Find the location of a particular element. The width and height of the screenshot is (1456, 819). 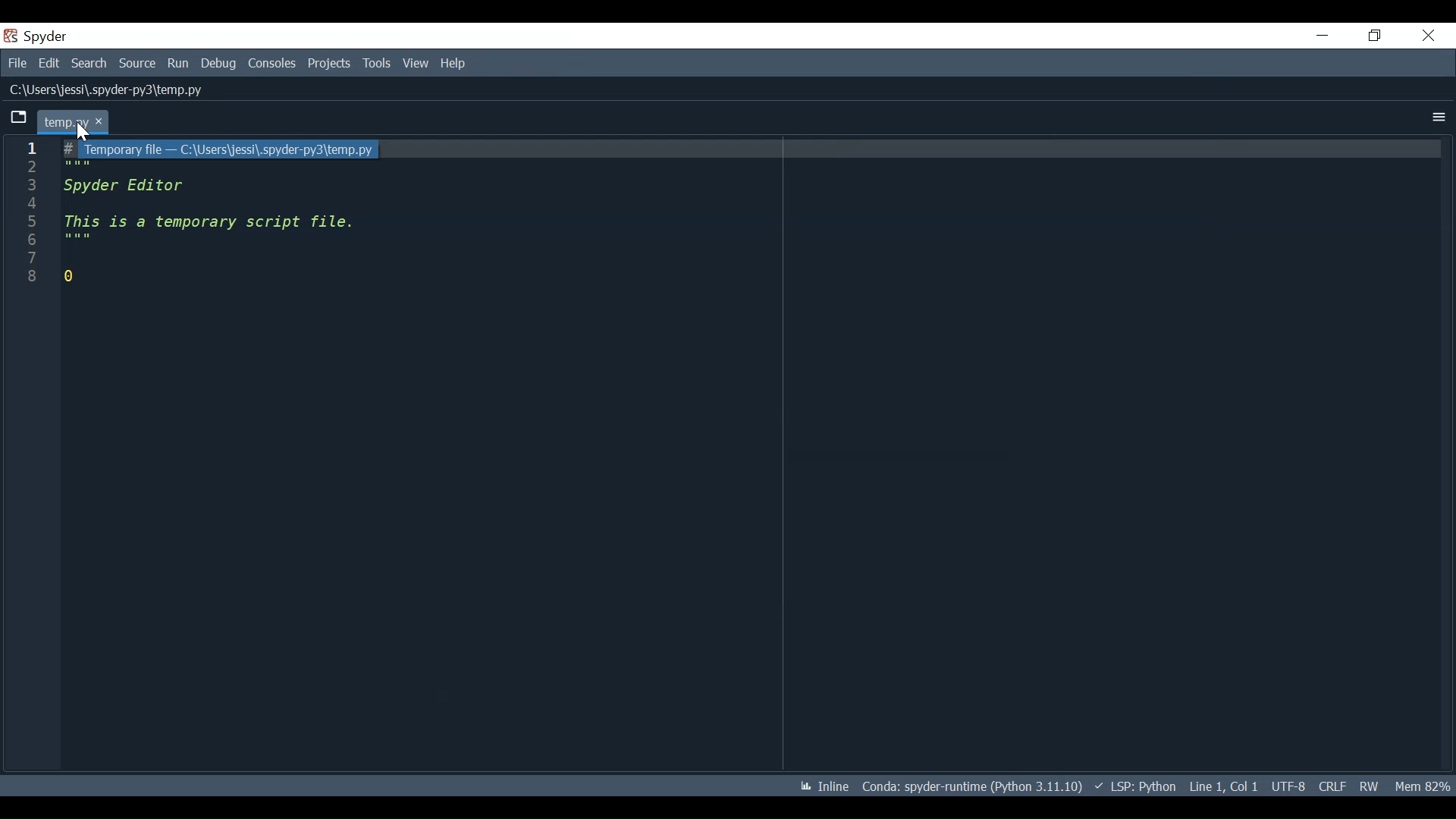

Source is located at coordinates (137, 64).